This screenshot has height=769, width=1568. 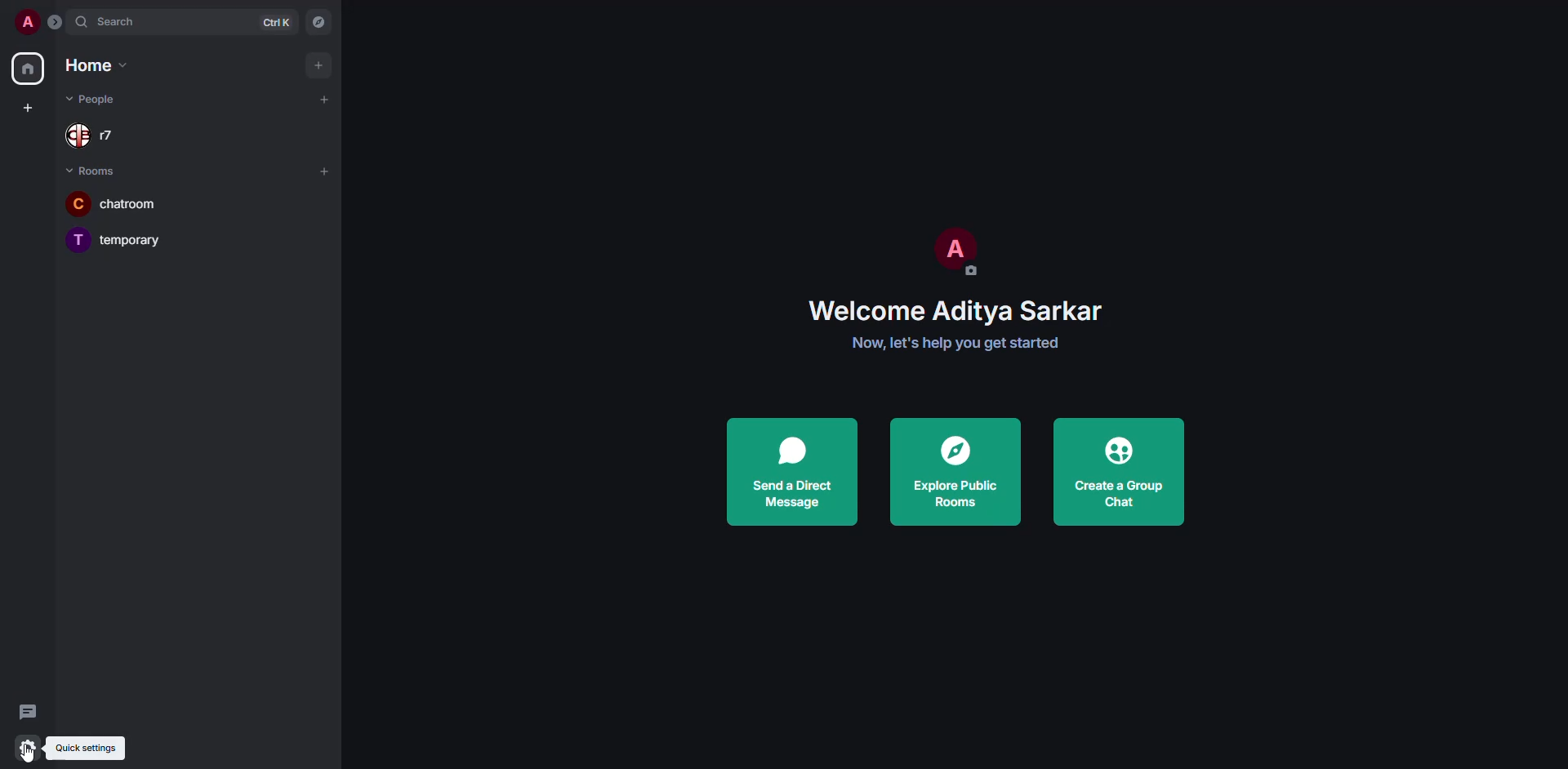 I want to click on r7, so click(x=99, y=137).